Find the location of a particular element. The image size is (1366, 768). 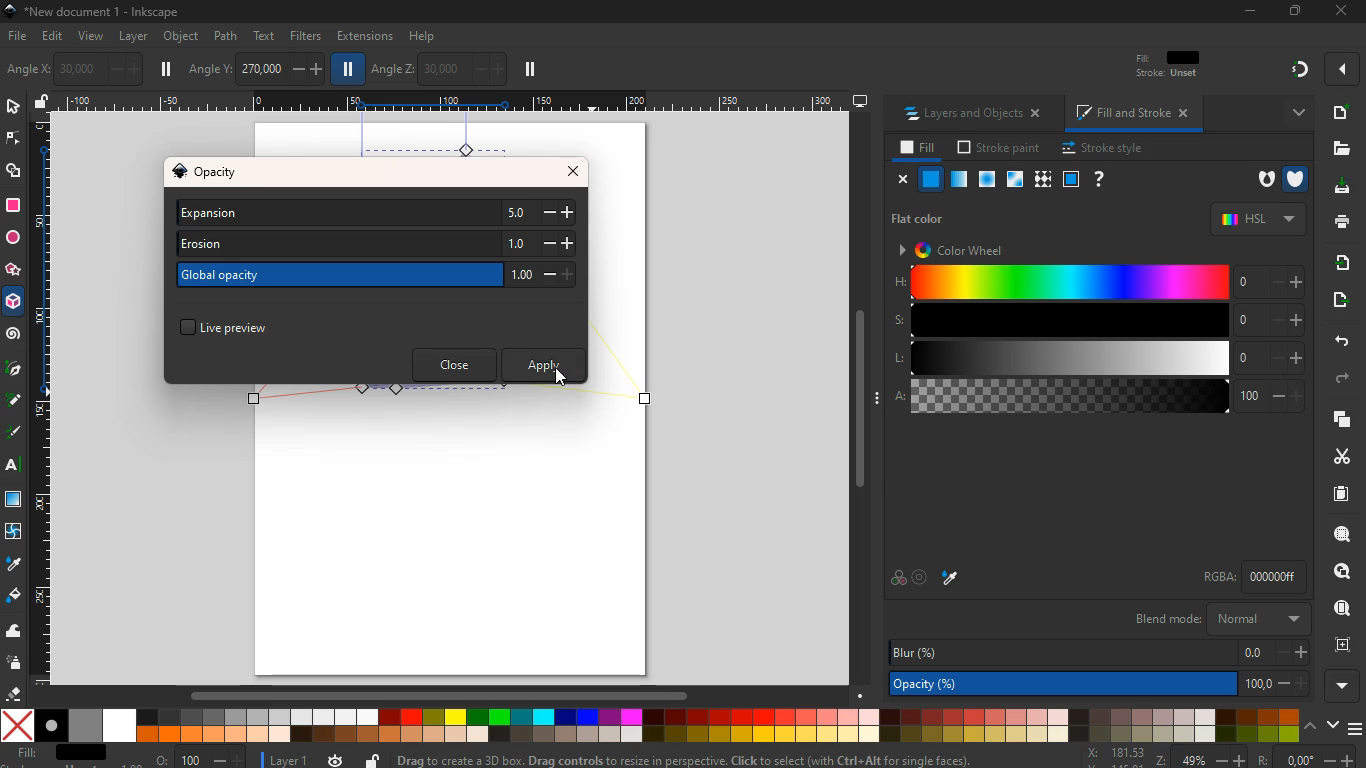

angle x is located at coordinates (89, 67).